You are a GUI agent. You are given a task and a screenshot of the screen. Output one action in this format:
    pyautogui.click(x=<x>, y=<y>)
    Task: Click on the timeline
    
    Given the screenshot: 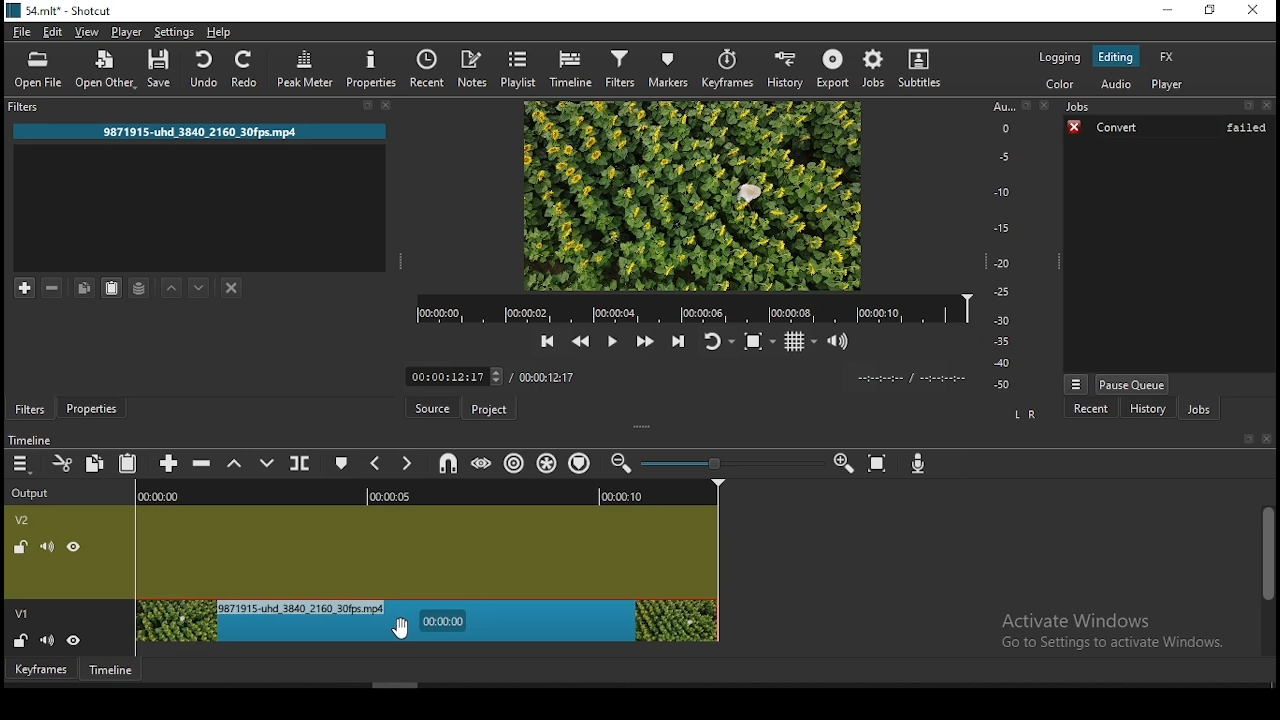 What is the action you would take?
    pyautogui.click(x=111, y=668)
    